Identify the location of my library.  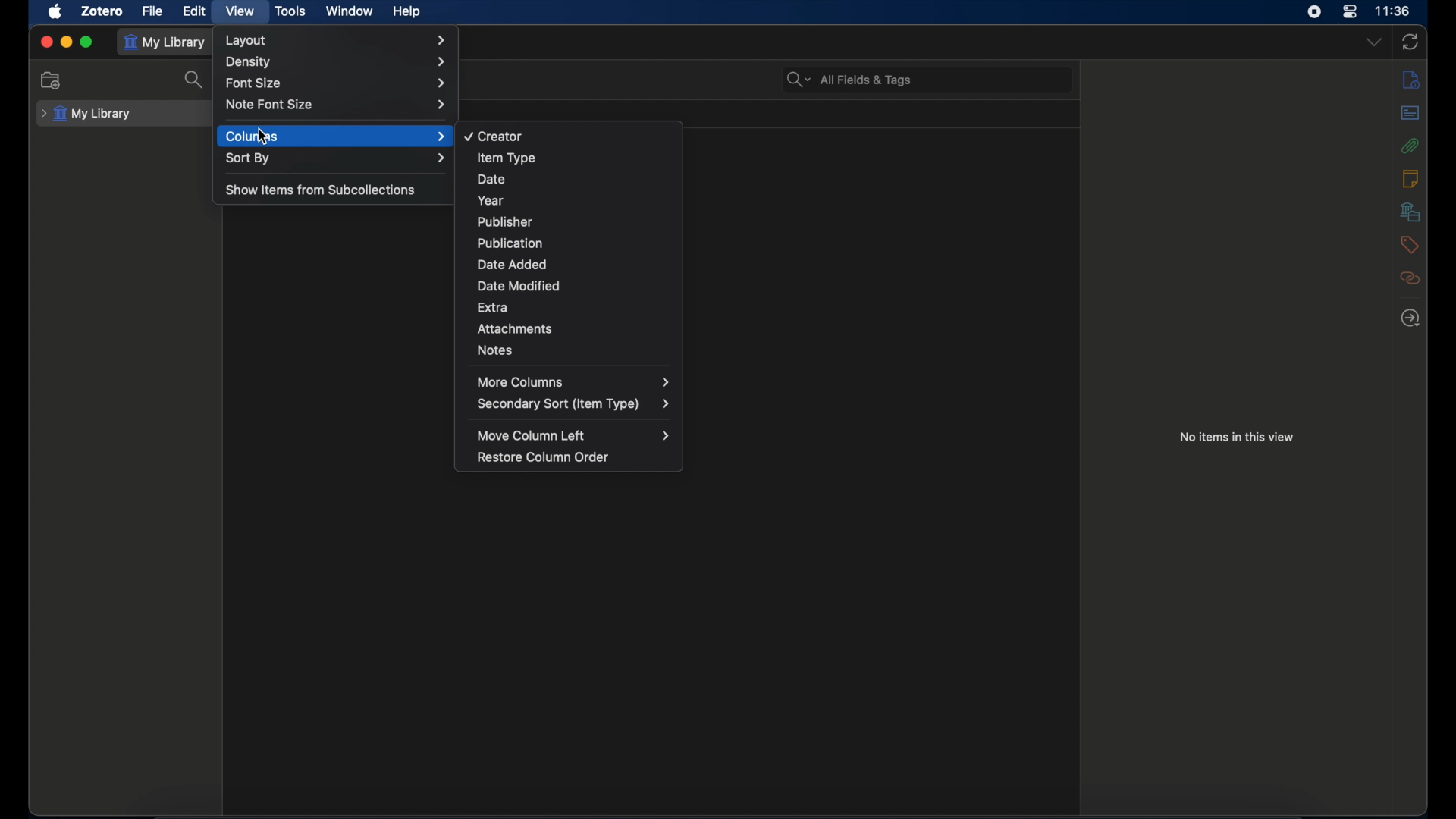
(86, 115).